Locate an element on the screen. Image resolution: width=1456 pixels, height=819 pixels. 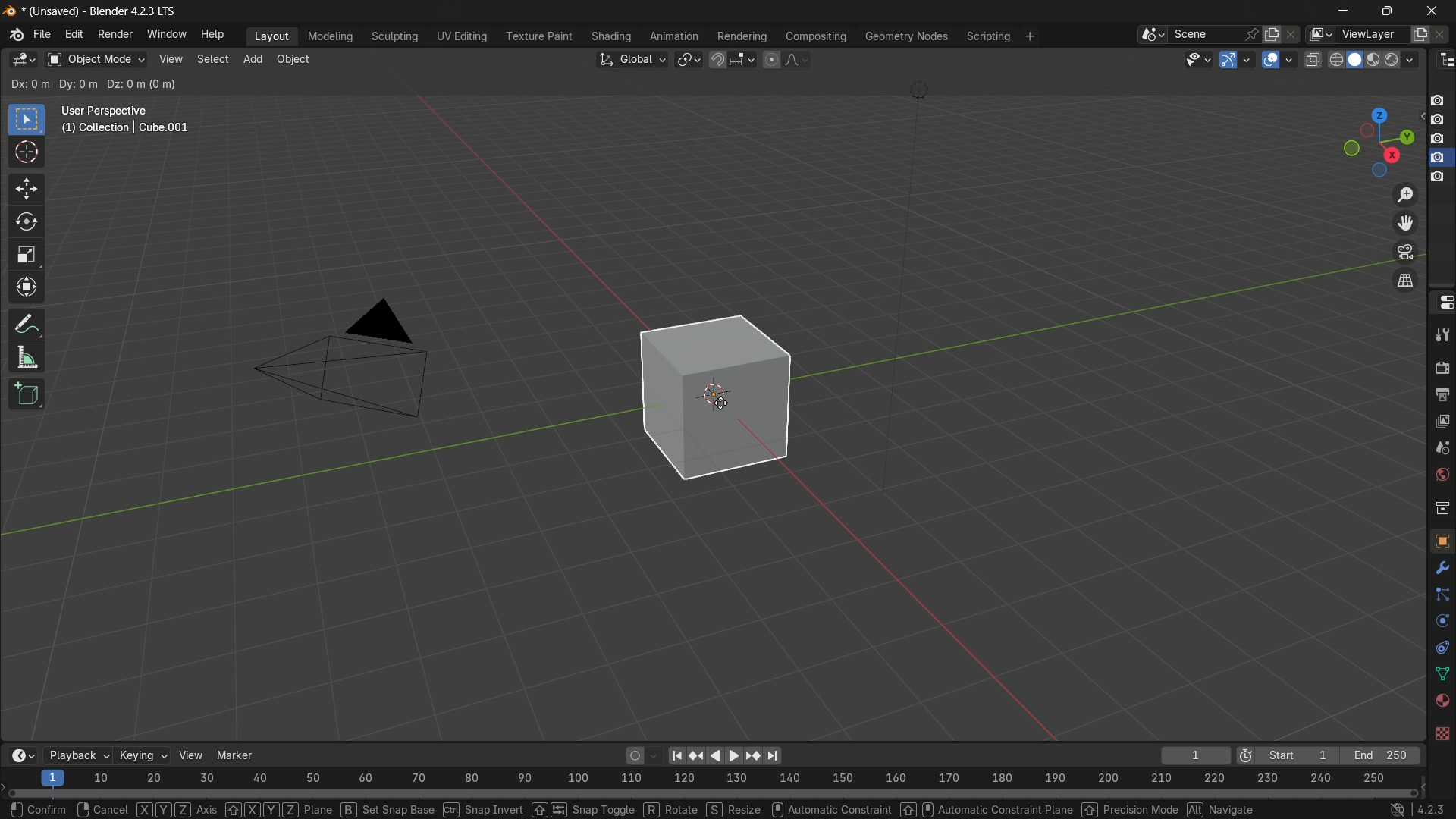
Before Screen is located at coordinates (675, 753).